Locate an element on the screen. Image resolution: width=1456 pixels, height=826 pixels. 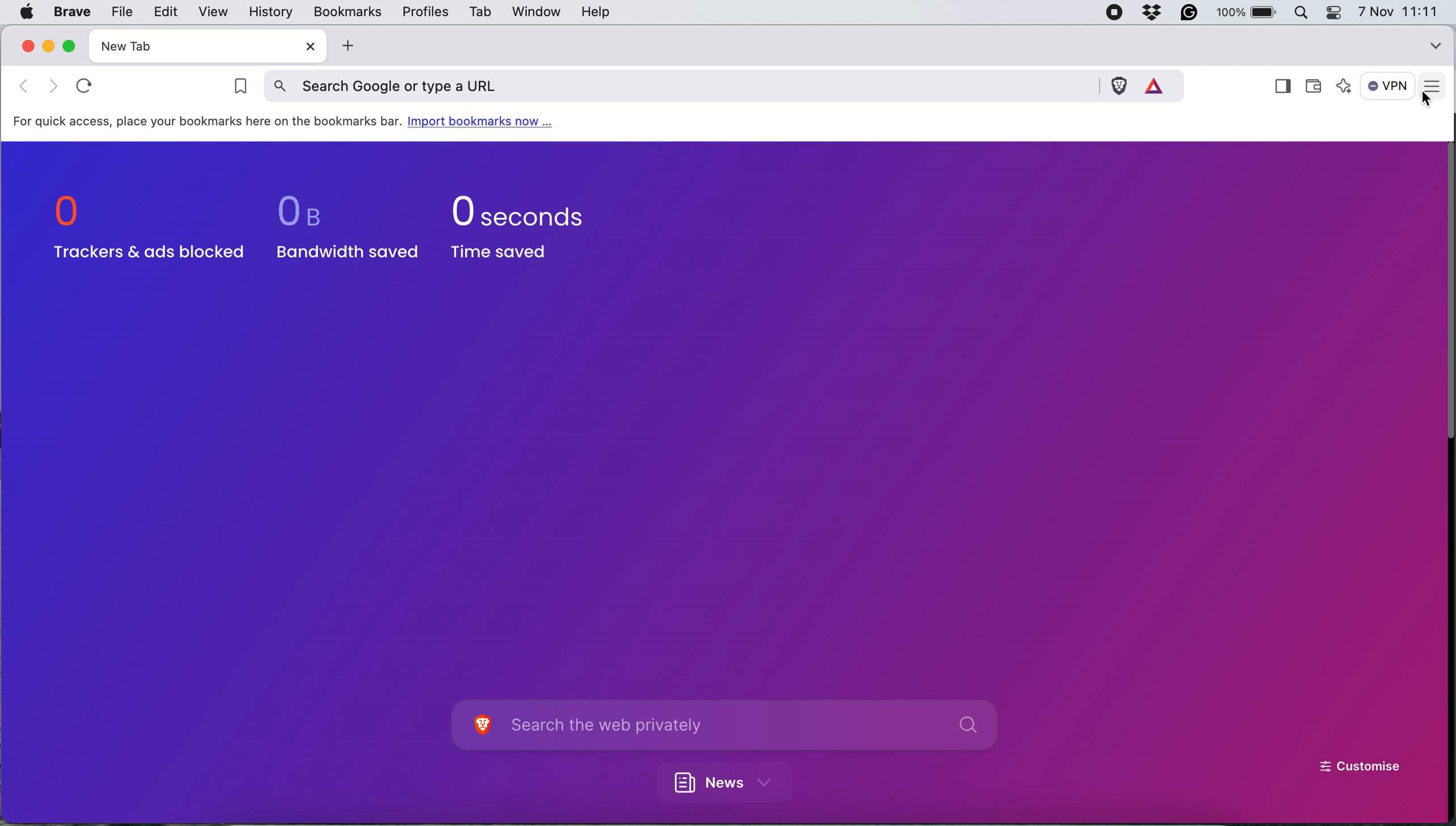
help is located at coordinates (596, 13).